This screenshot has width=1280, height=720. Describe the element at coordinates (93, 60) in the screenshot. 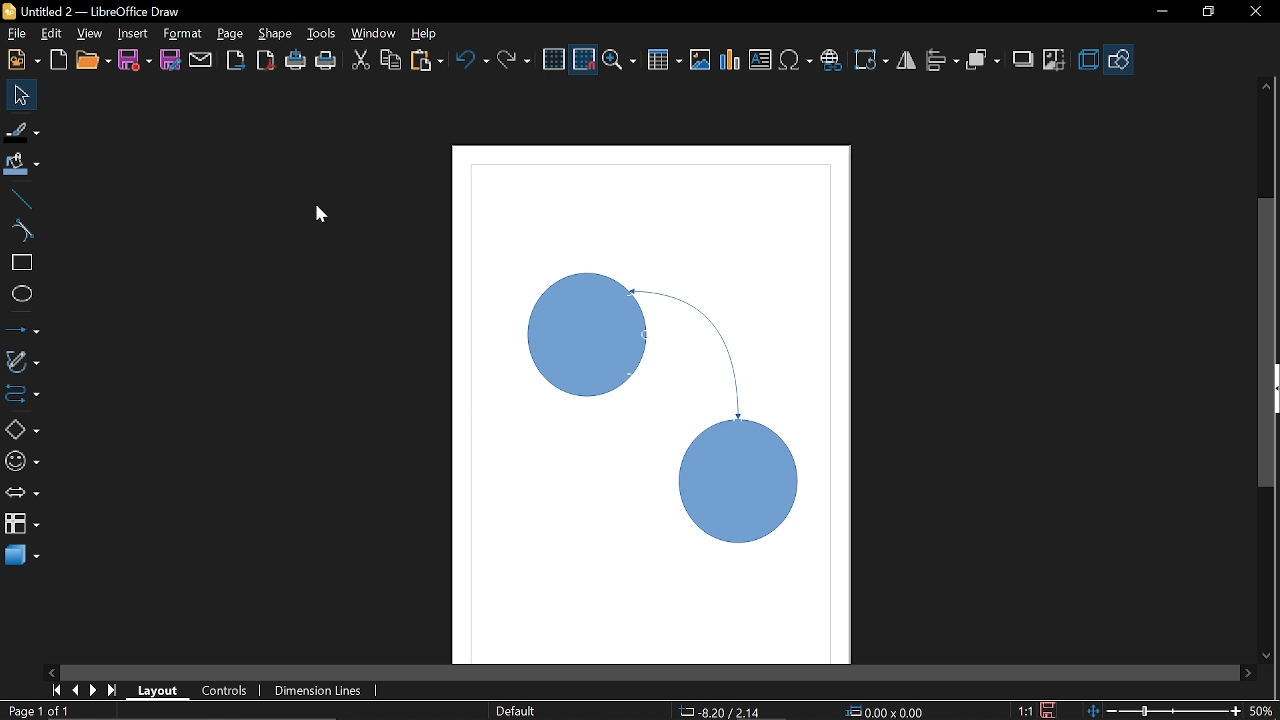

I see `Open` at that location.